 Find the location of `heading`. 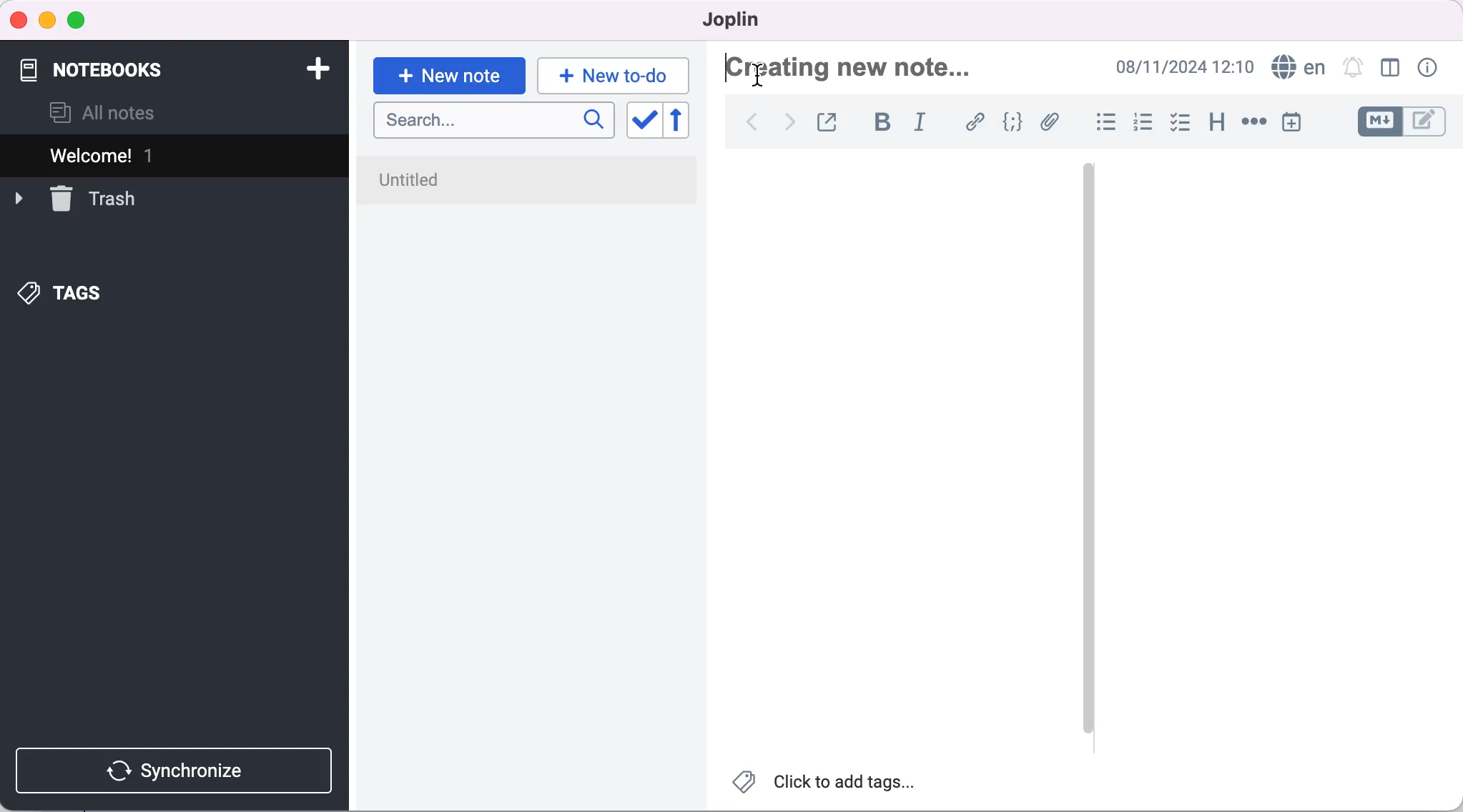

heading is located at coordinates (1216, 124).